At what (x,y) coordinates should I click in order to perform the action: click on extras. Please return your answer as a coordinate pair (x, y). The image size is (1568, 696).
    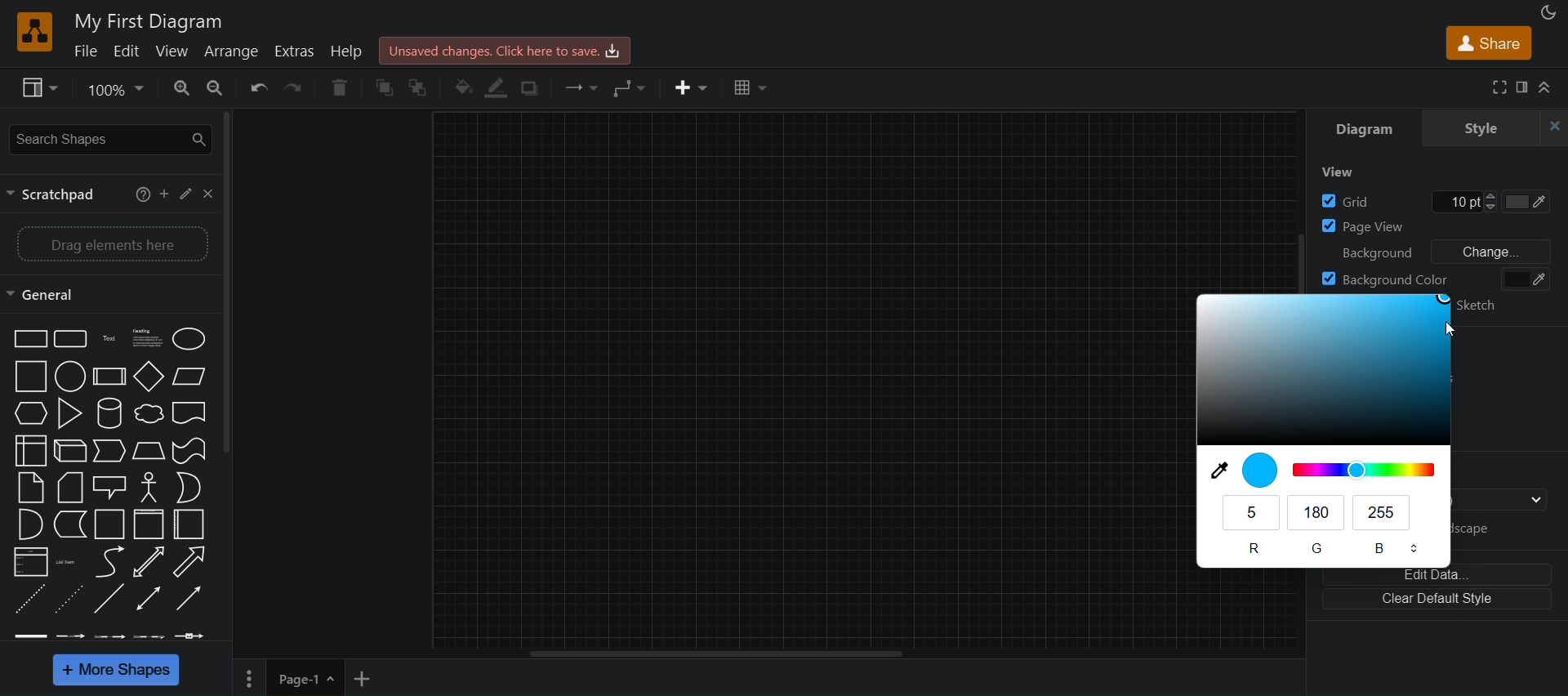
    Looking at the image, I should click on (293, 51).